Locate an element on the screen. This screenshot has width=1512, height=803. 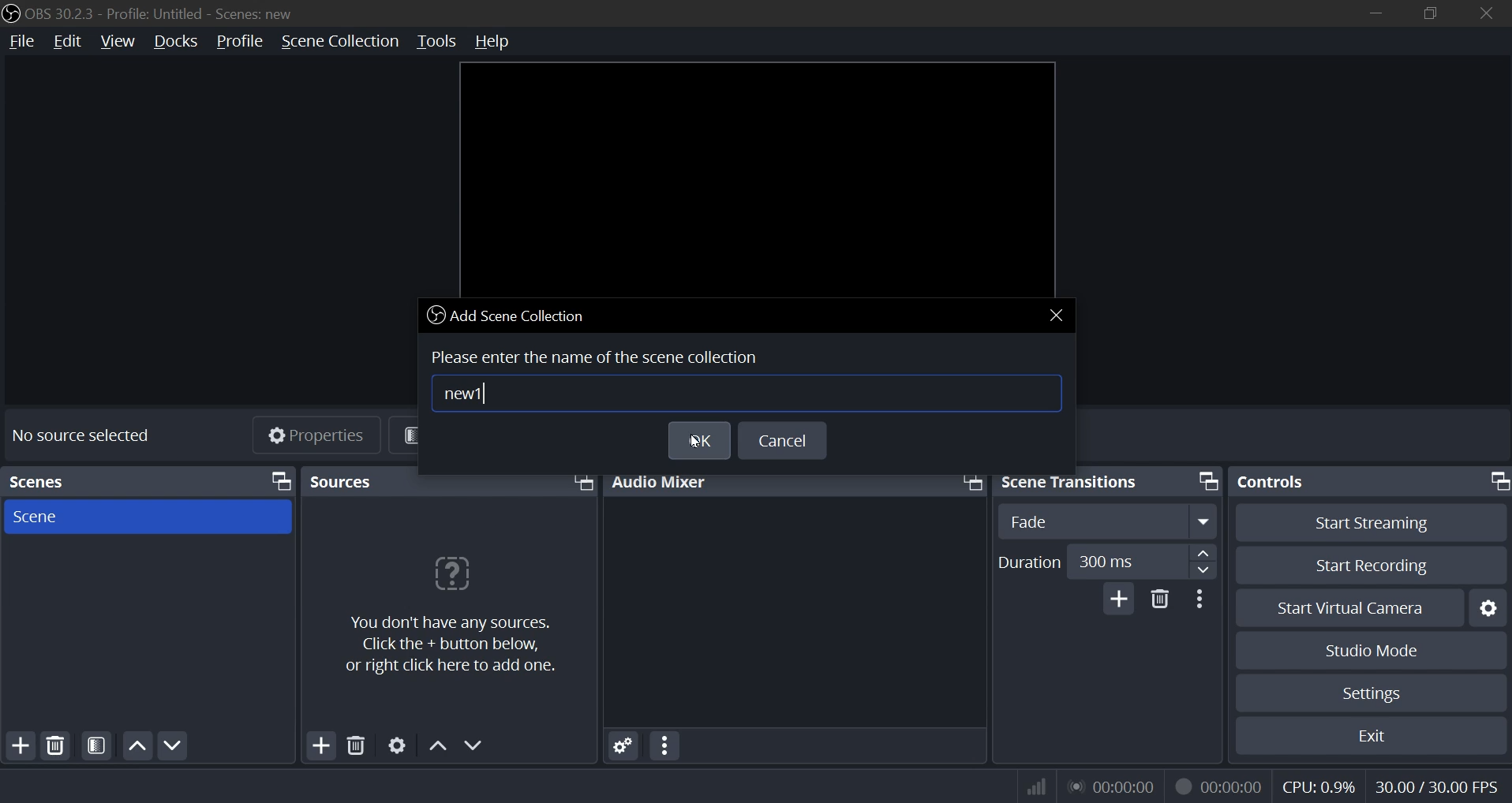
start streaming is located at coordinates (1371, 523).